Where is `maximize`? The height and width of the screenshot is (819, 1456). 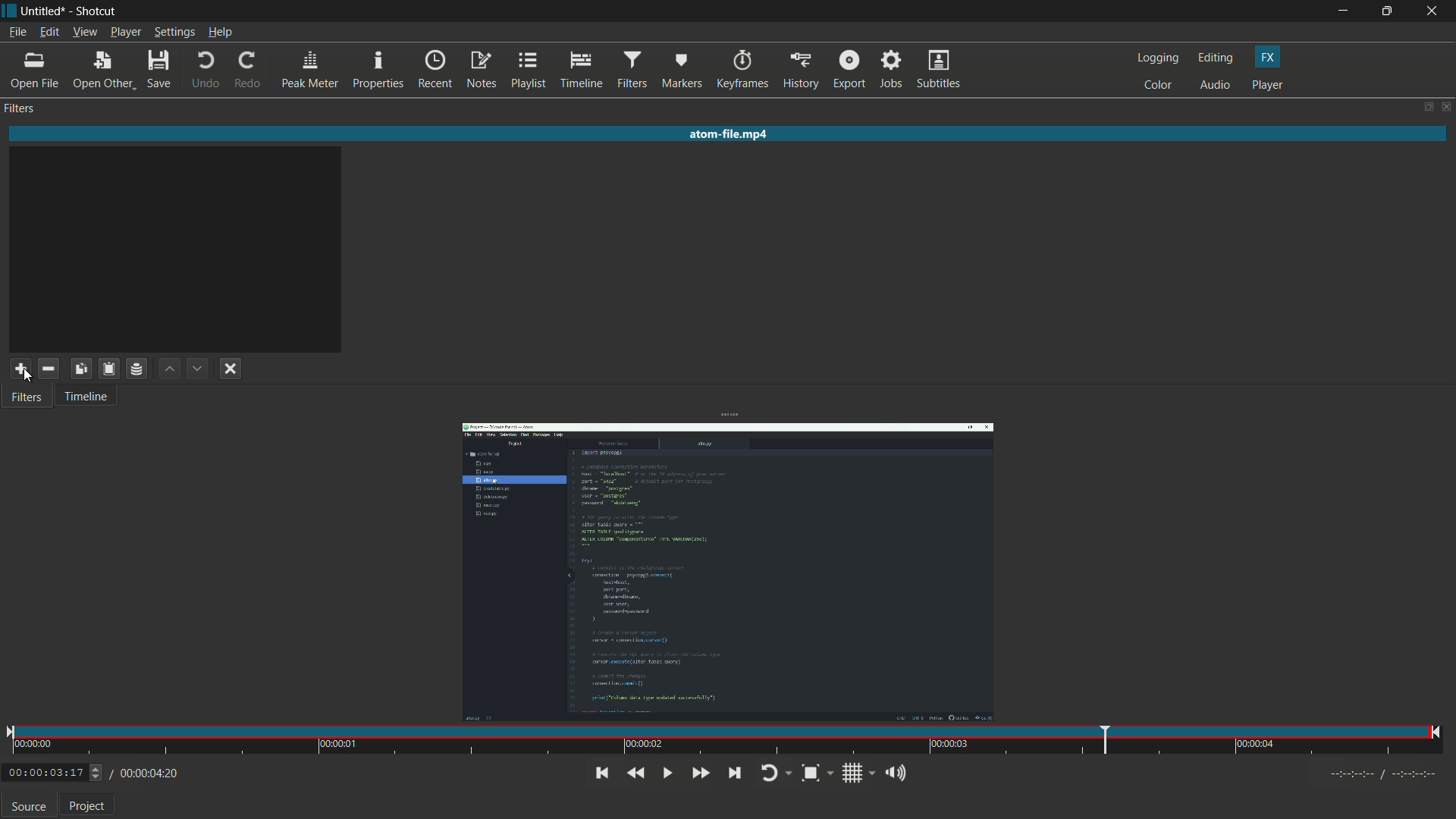 maximize is located at coordinates (1387, 11).